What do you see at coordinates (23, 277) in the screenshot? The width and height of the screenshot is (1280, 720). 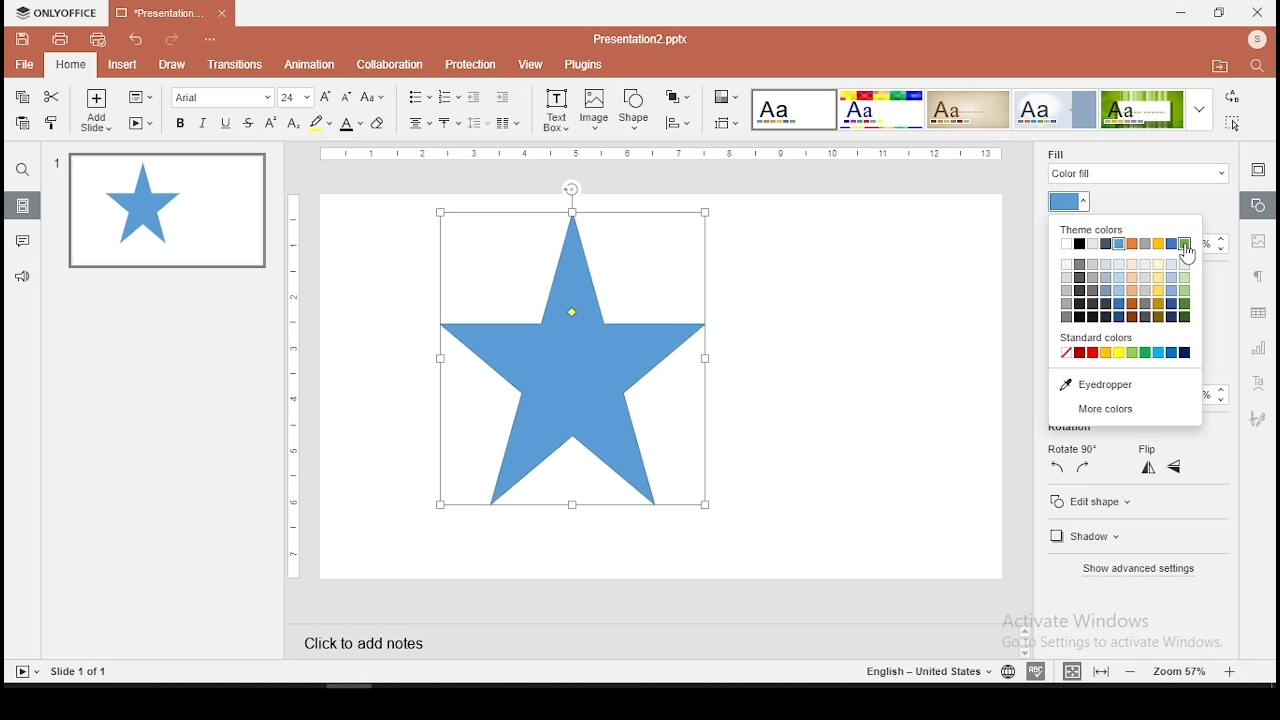 I see `support and feedback` at bounding box center [23, 277].